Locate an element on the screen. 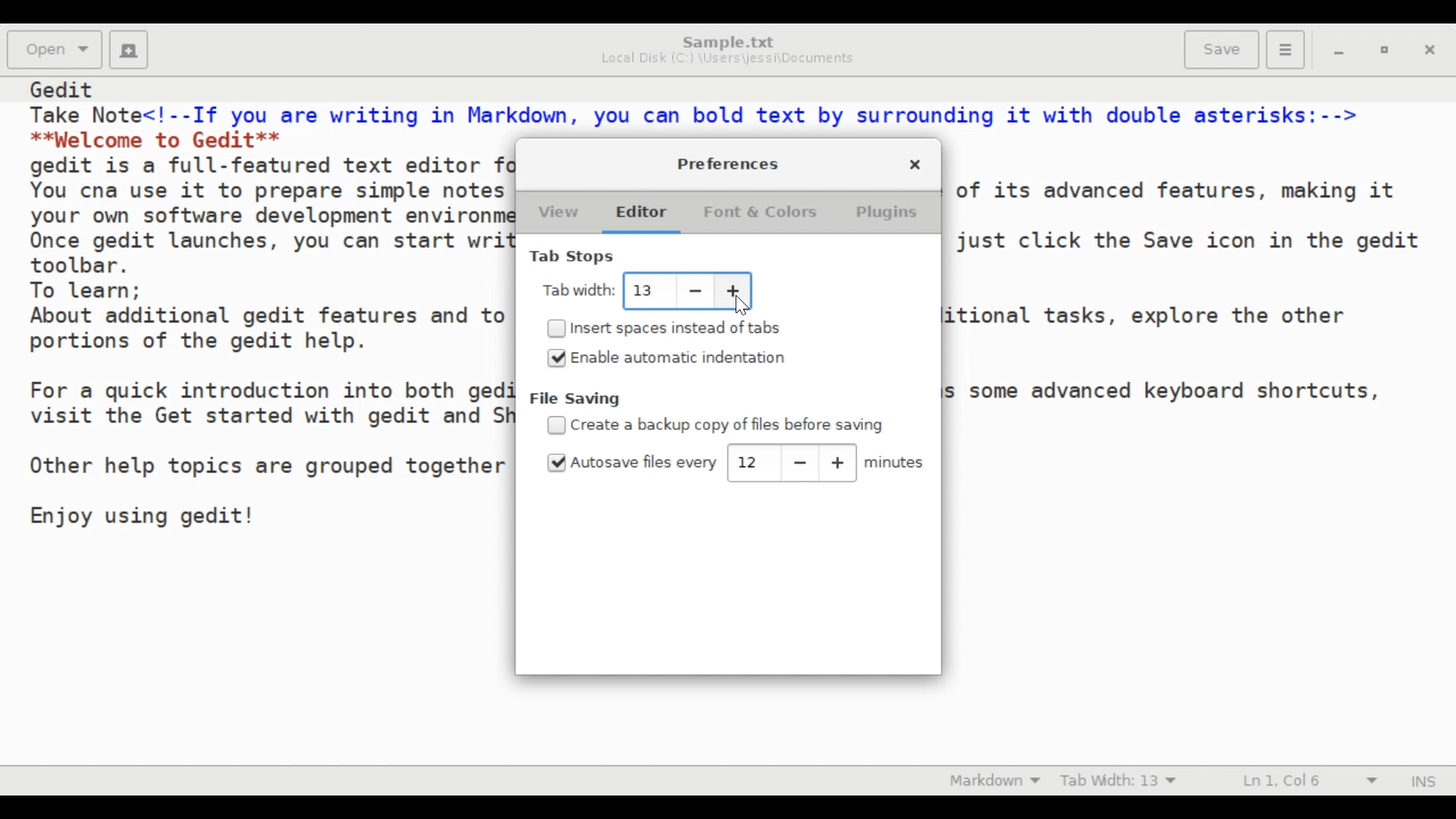 The height and width of the screenshot is (819, 1456). Insert Mode is located at coordinates (1422, 780).